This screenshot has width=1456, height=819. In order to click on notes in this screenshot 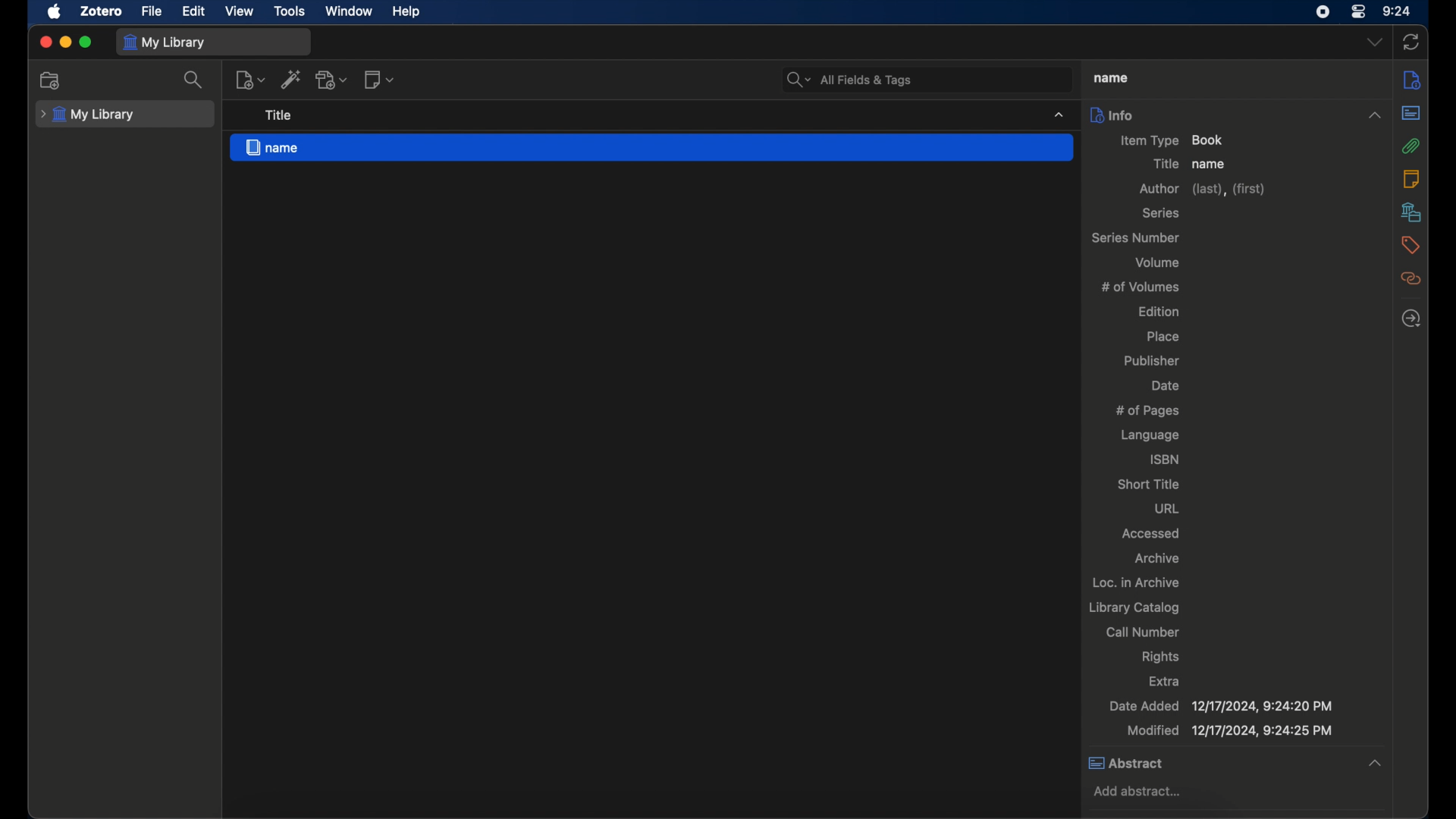, I will do `click(1411, 177)`.